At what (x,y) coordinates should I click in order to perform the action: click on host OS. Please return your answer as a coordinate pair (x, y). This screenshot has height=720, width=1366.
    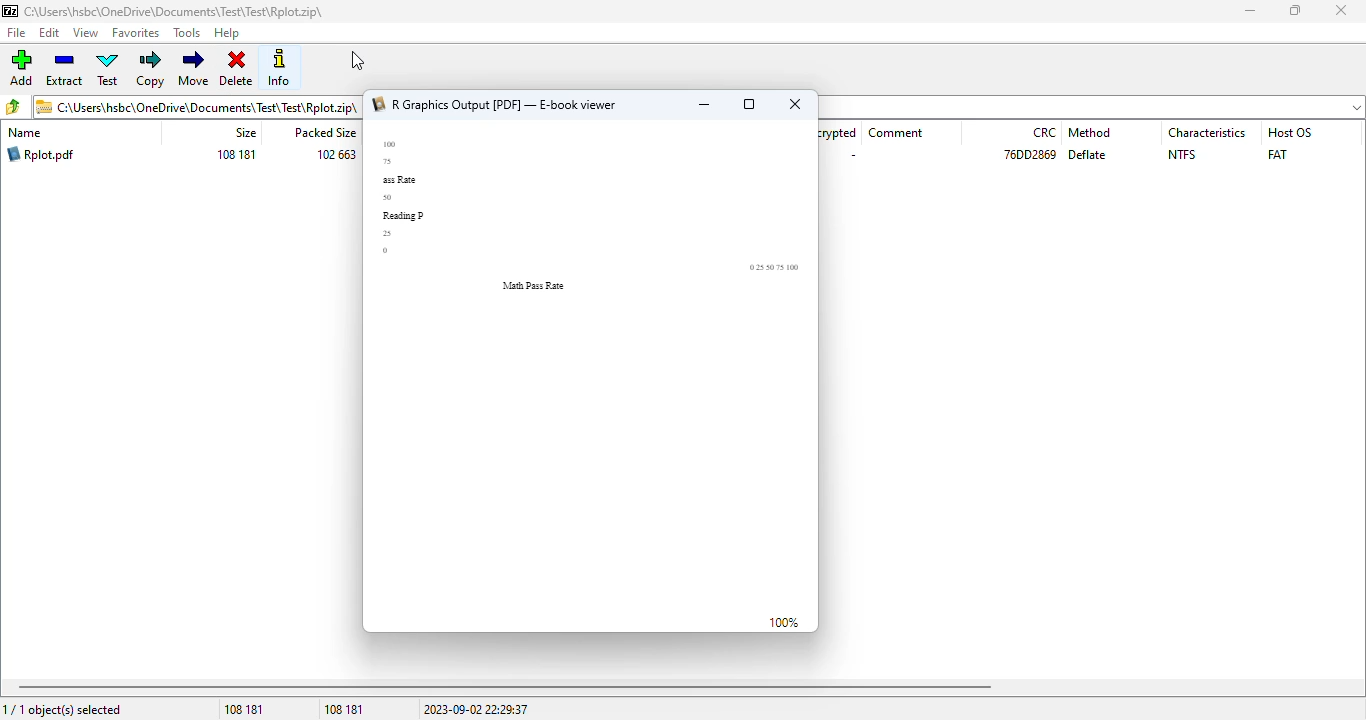
    Looking at the image, I should click on (1288, 132).